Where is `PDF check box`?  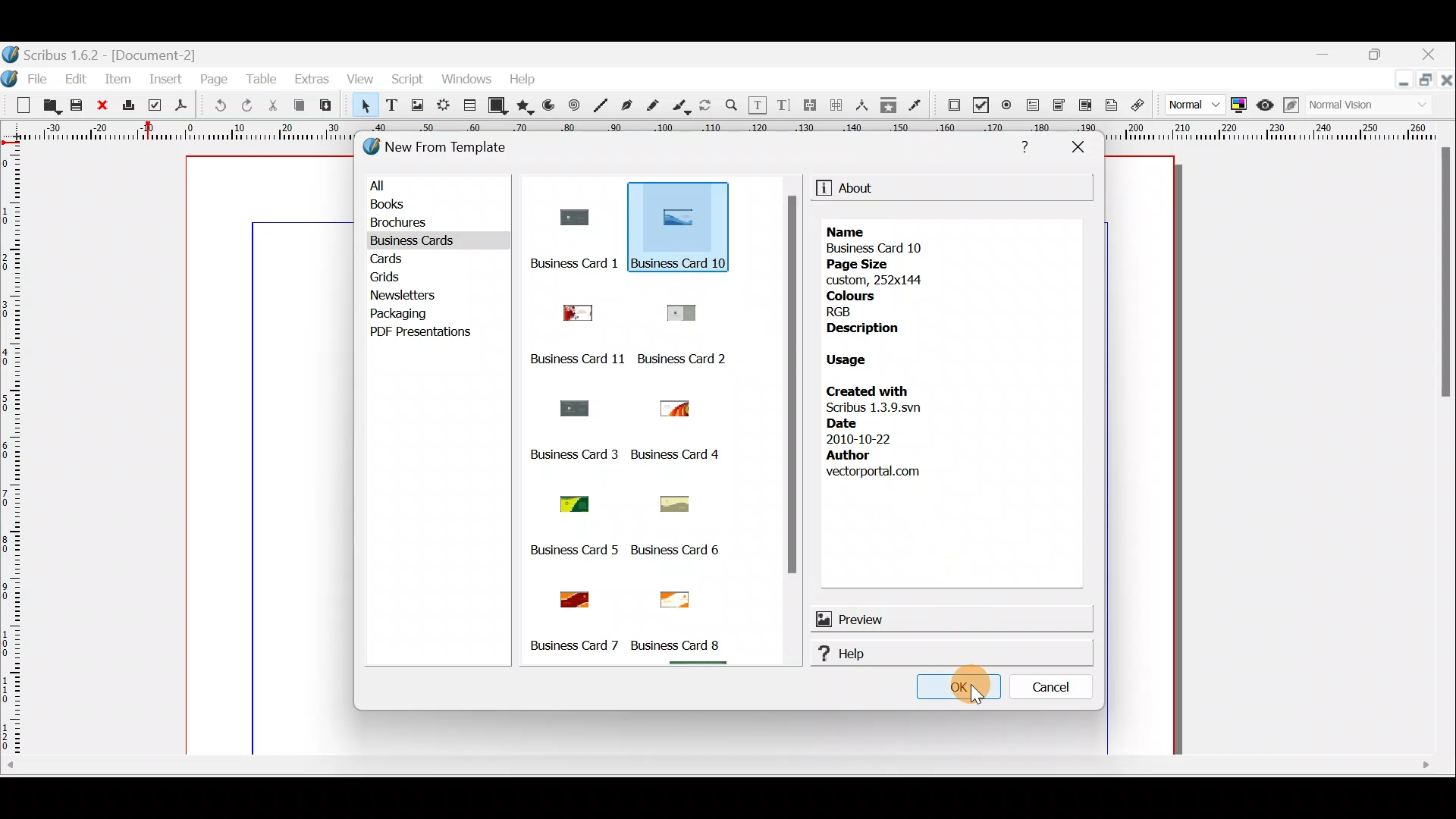
PDF check box is located at coordinates (979, 105).